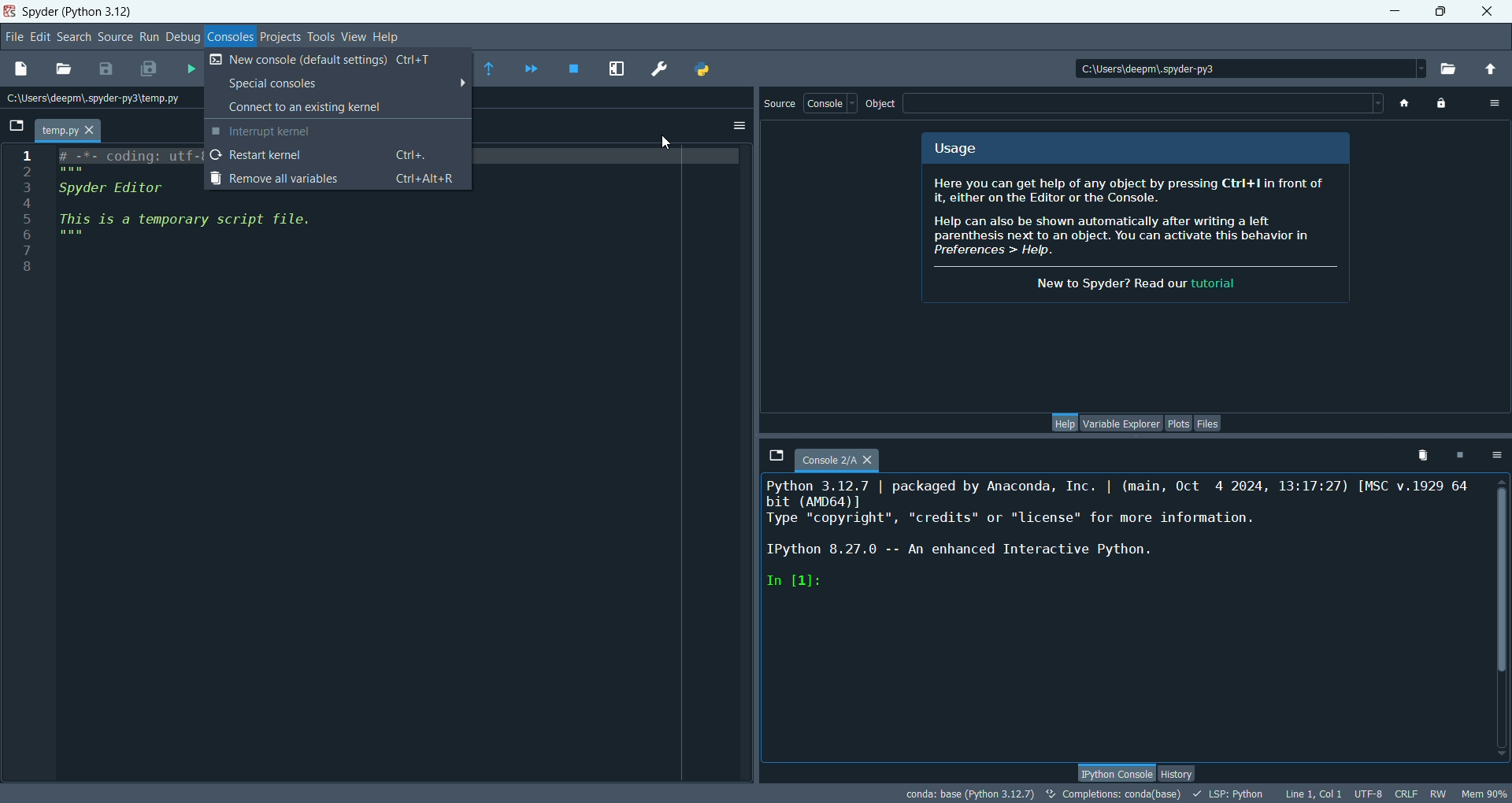  What do you see at coordinates (39, 38) in the screenshot?
I see `edit` at bounding box center [39, 38].